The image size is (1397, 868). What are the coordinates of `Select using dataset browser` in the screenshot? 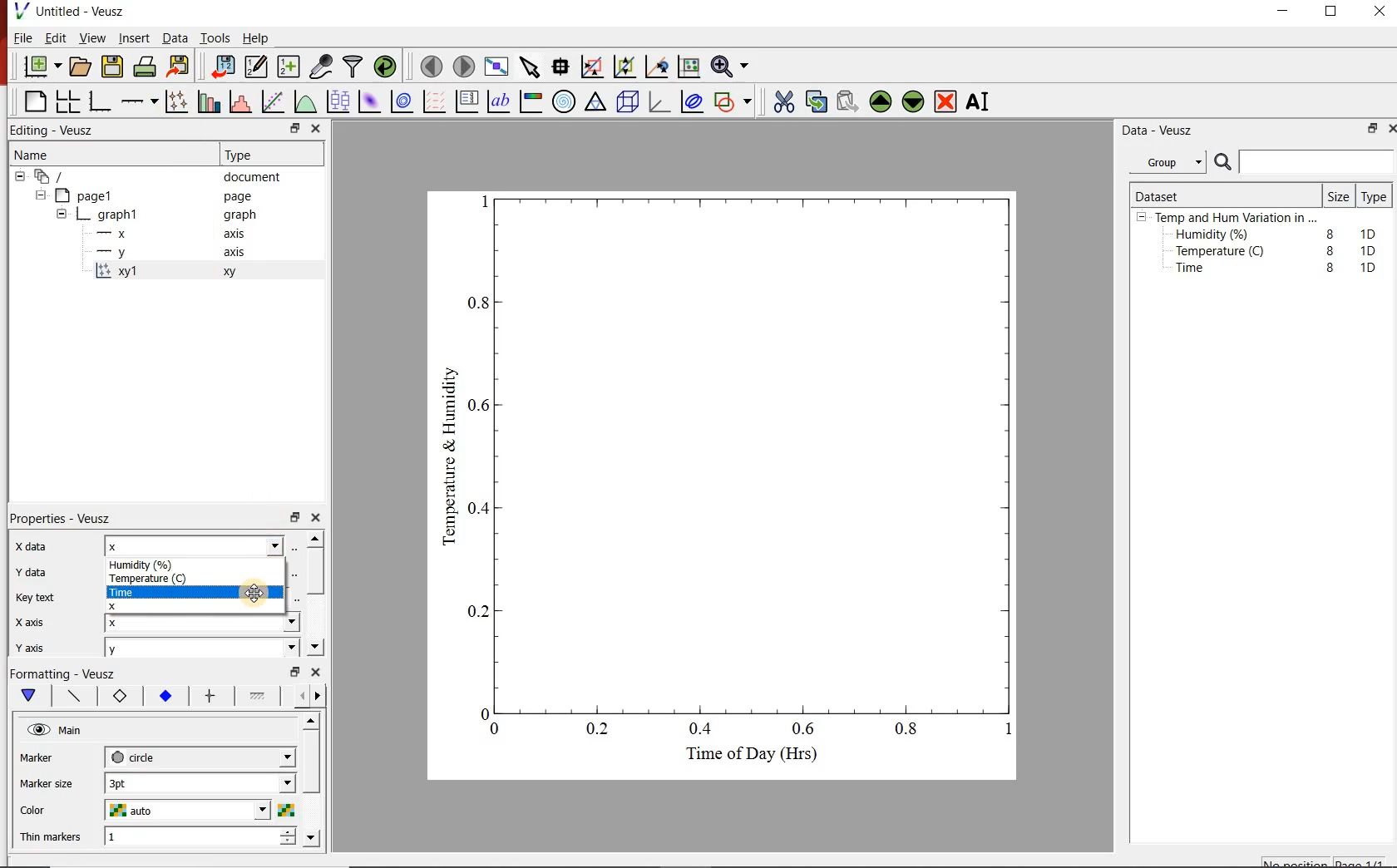 It's located at (300, 547).